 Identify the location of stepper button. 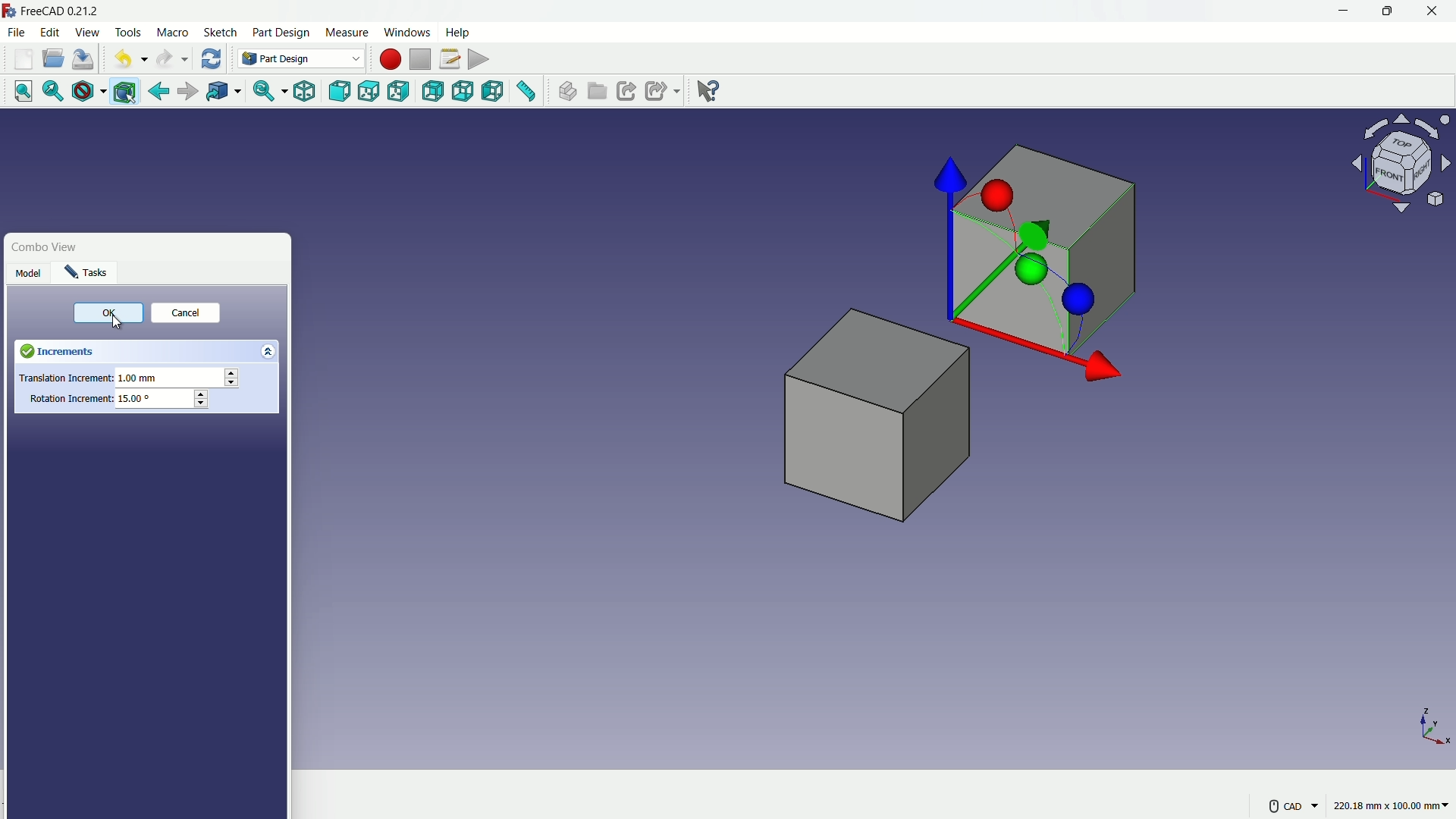
(200, 400).